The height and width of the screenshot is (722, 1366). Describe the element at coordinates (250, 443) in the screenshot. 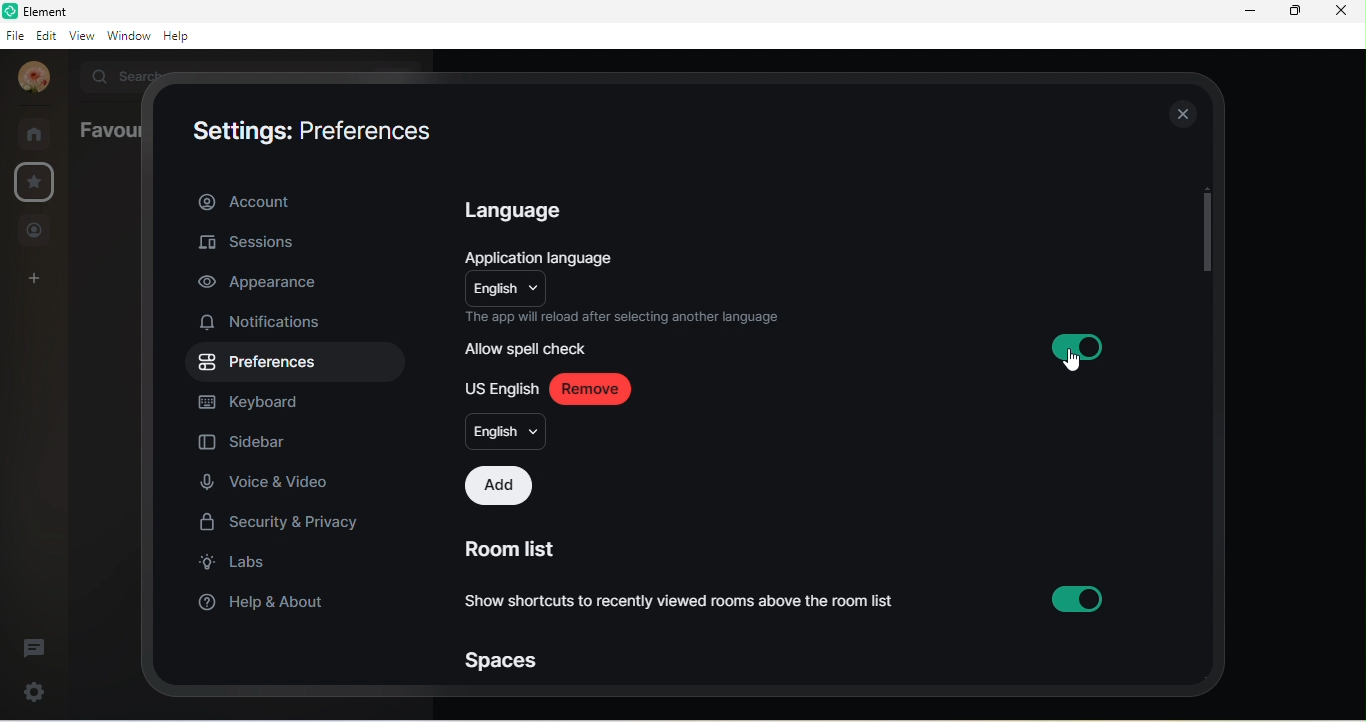

I see `sidebar` at that location.